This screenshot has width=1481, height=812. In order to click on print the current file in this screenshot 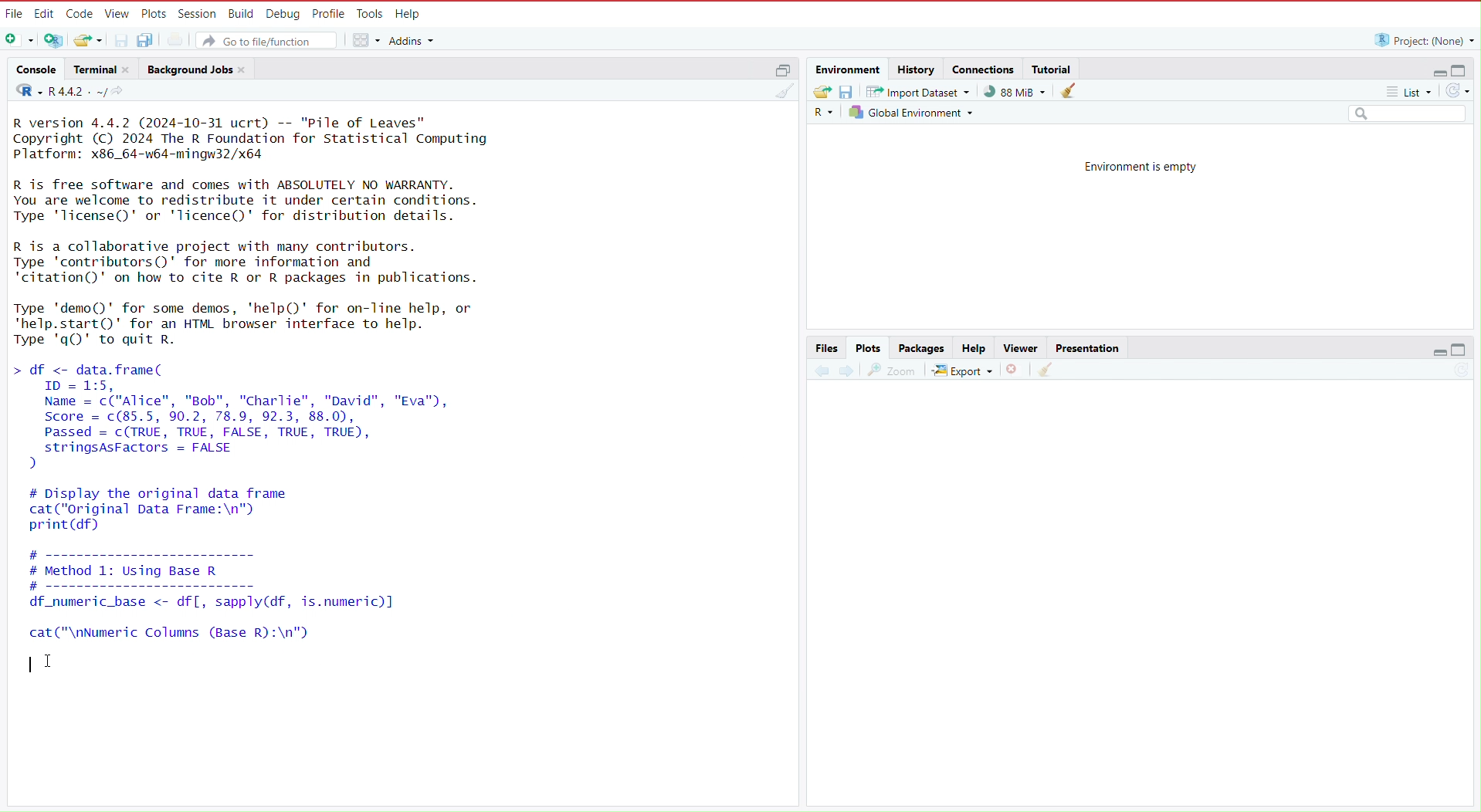, I will do `click(175, 41)`.